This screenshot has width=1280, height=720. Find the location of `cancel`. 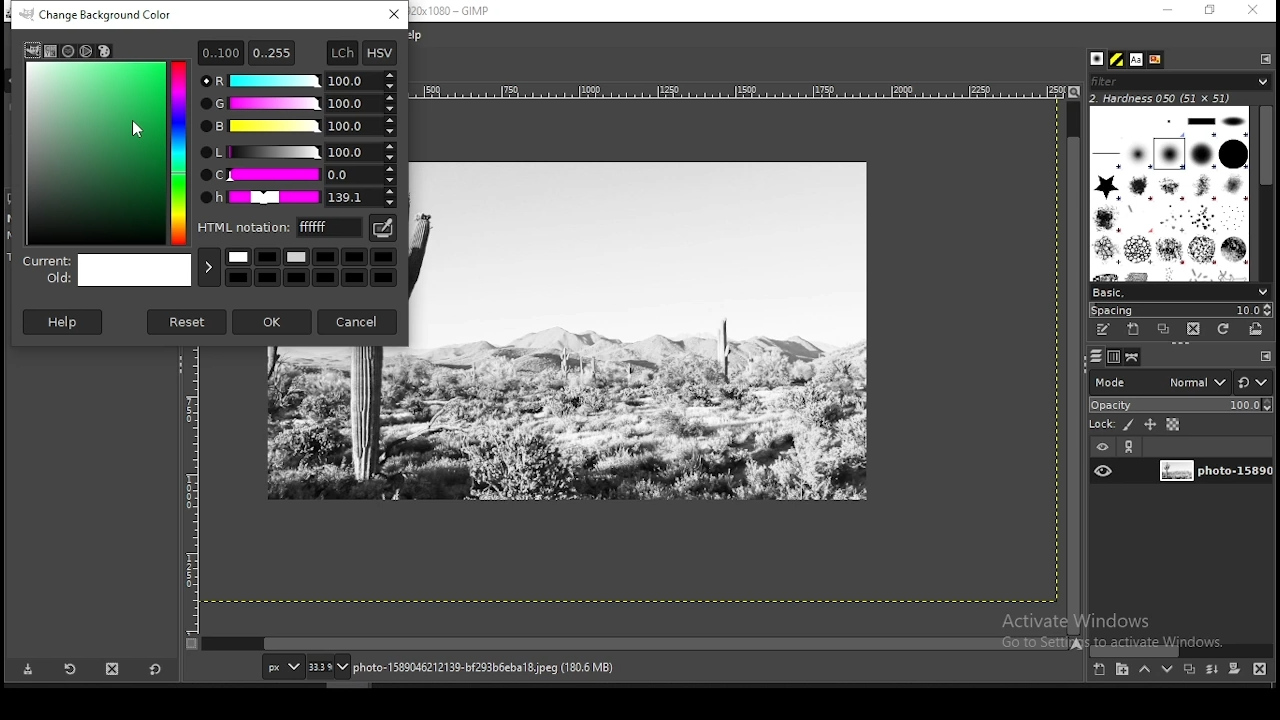

cancel is located at coordinates (359, 320).